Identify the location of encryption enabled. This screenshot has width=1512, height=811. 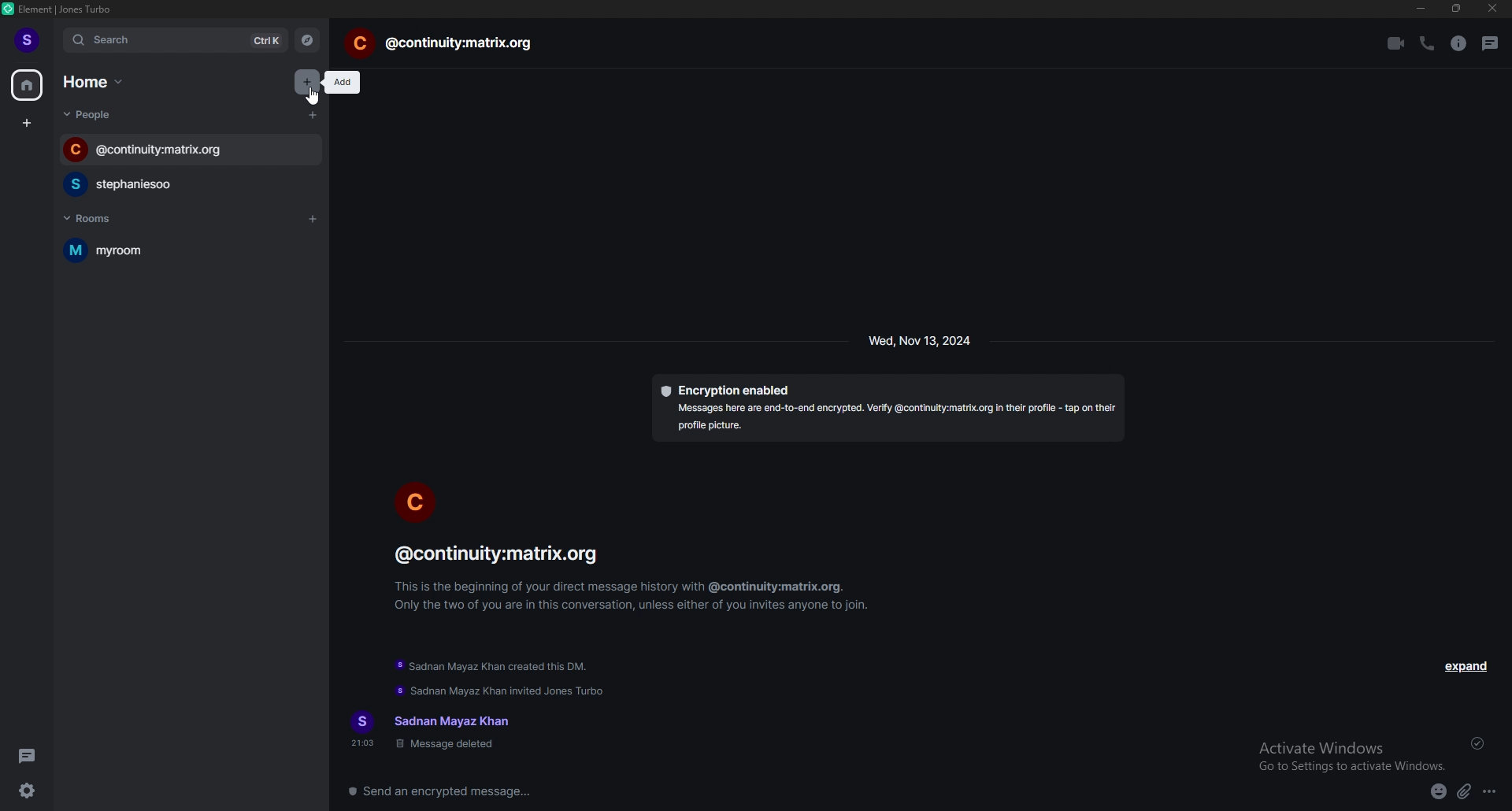
(888, 408).